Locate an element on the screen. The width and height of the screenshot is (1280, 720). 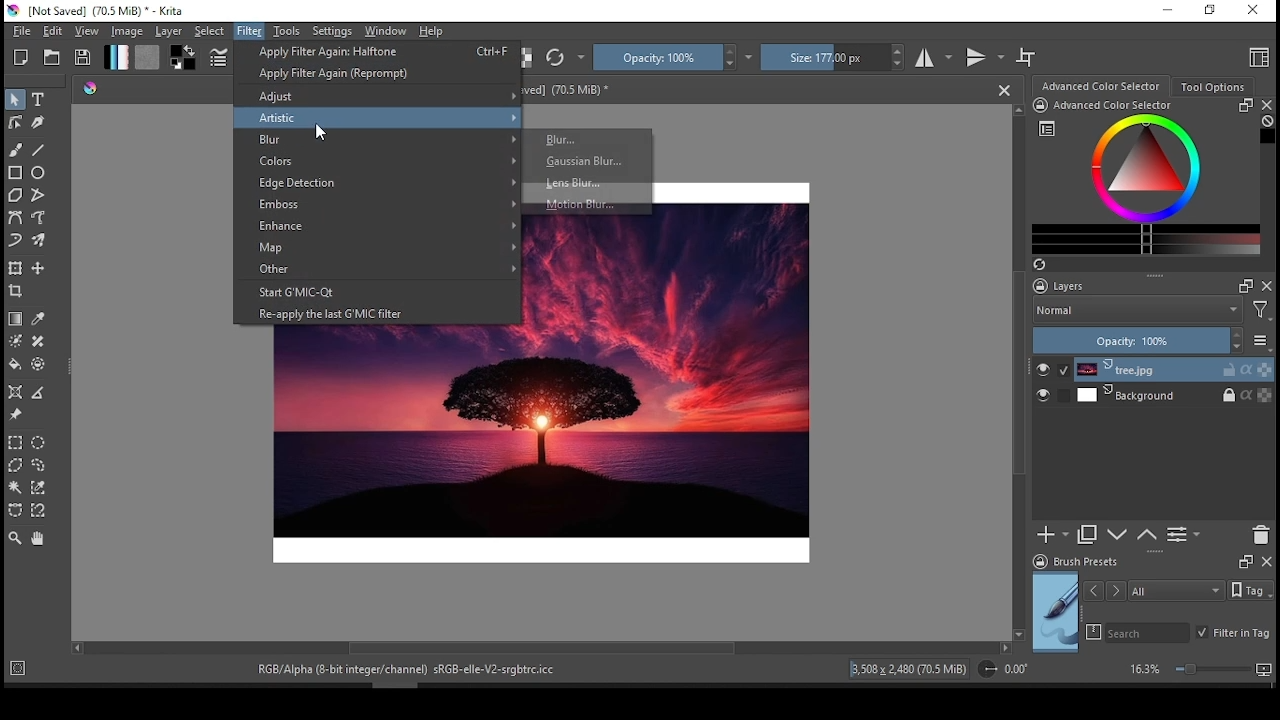
polygon tool is located at coordinates (16, 195).